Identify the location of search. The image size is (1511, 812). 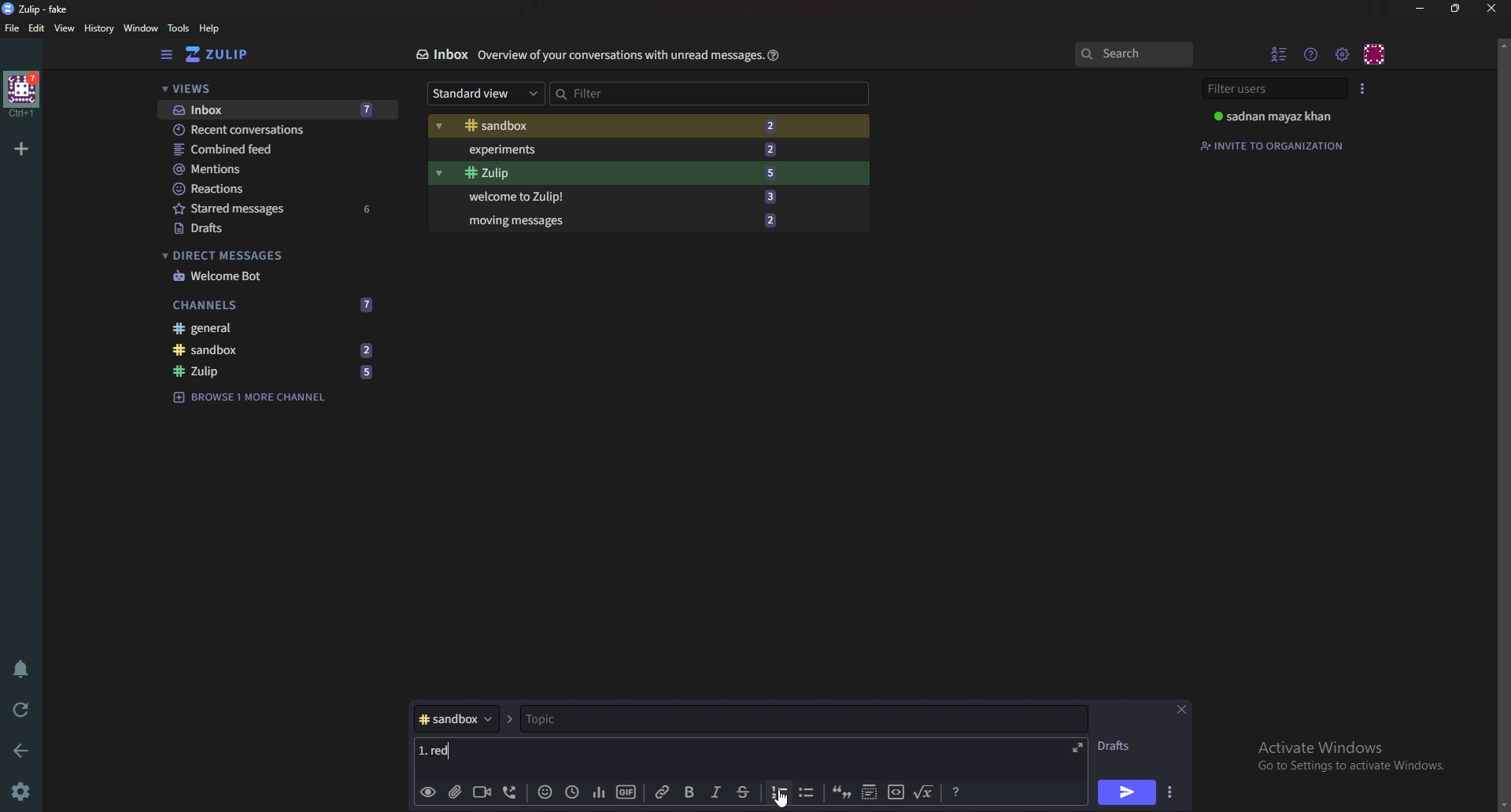
(1133, 55).